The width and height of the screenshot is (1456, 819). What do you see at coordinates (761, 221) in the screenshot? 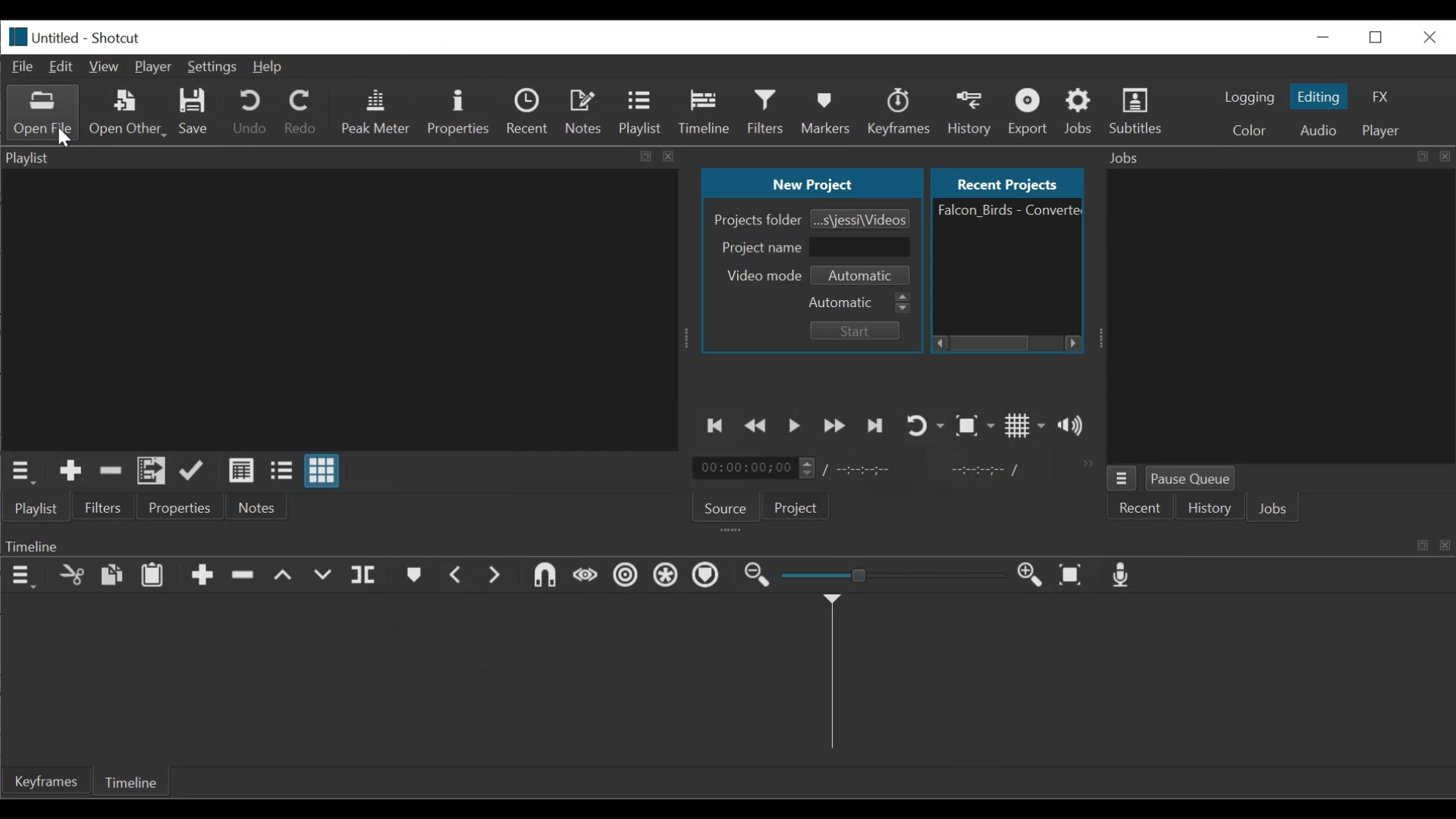
I see `Projects folder ` at bounding box center [761, 221].